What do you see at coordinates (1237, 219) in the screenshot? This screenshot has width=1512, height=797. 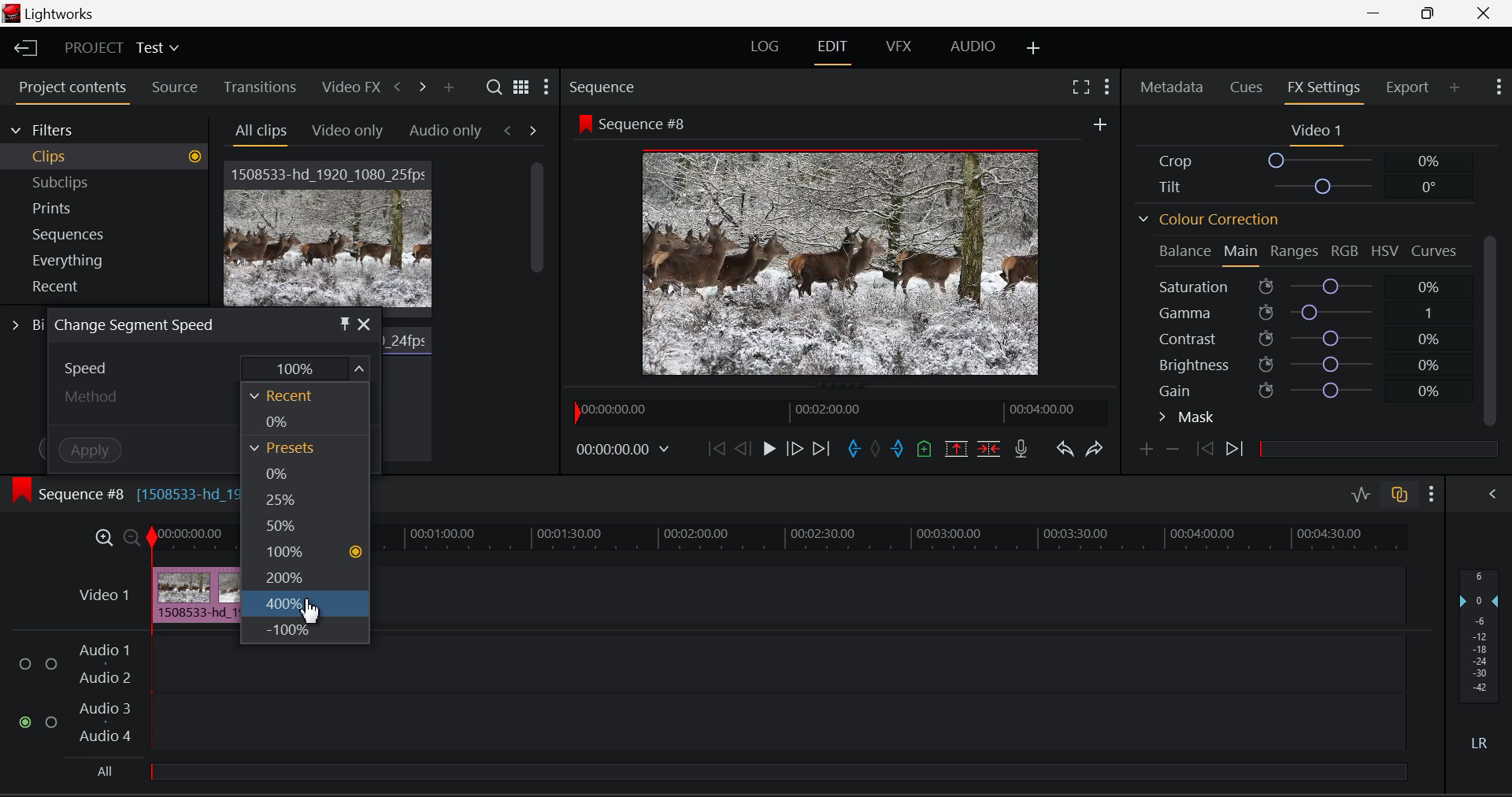 I see `Colour Correction Section` at bounding box center [1237, 219].